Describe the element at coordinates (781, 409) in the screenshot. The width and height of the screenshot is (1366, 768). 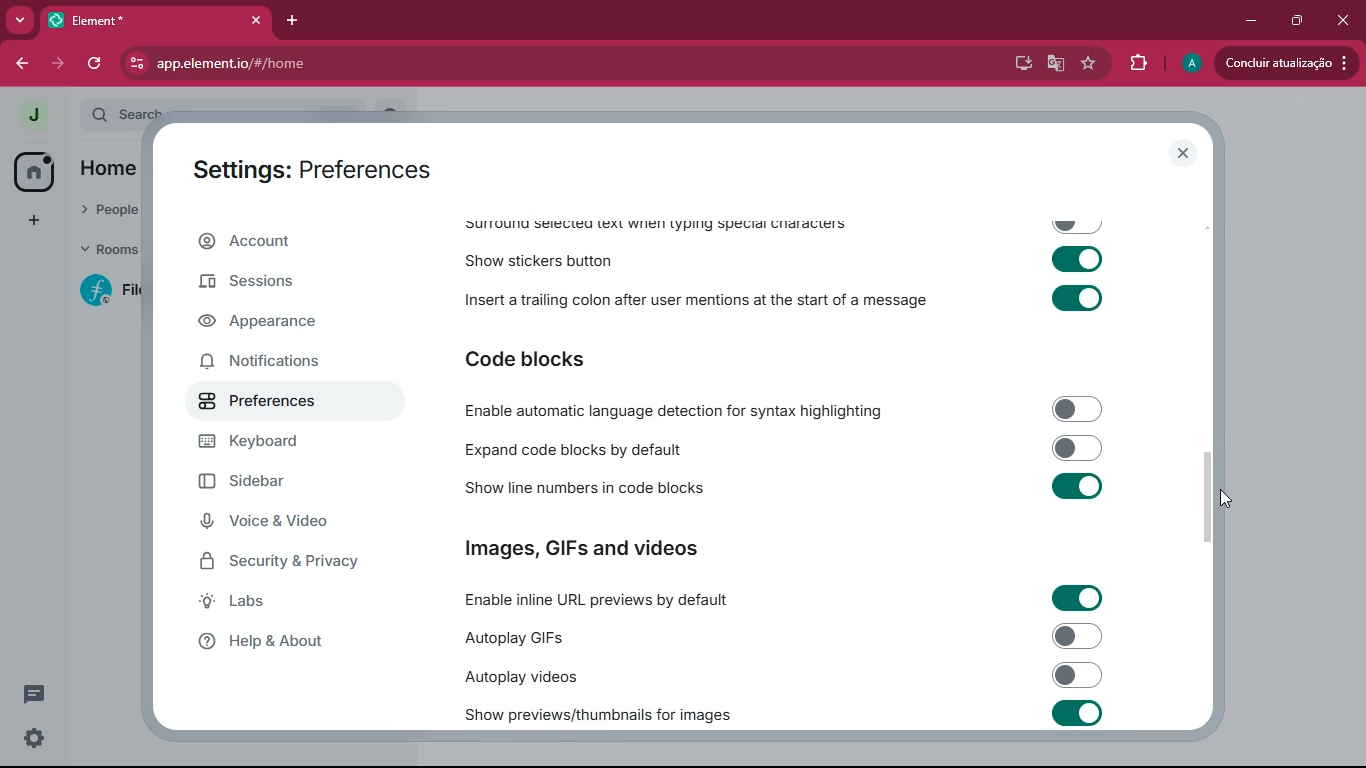
I see `Enable automatic language detection for syntax highlighting` at that location.